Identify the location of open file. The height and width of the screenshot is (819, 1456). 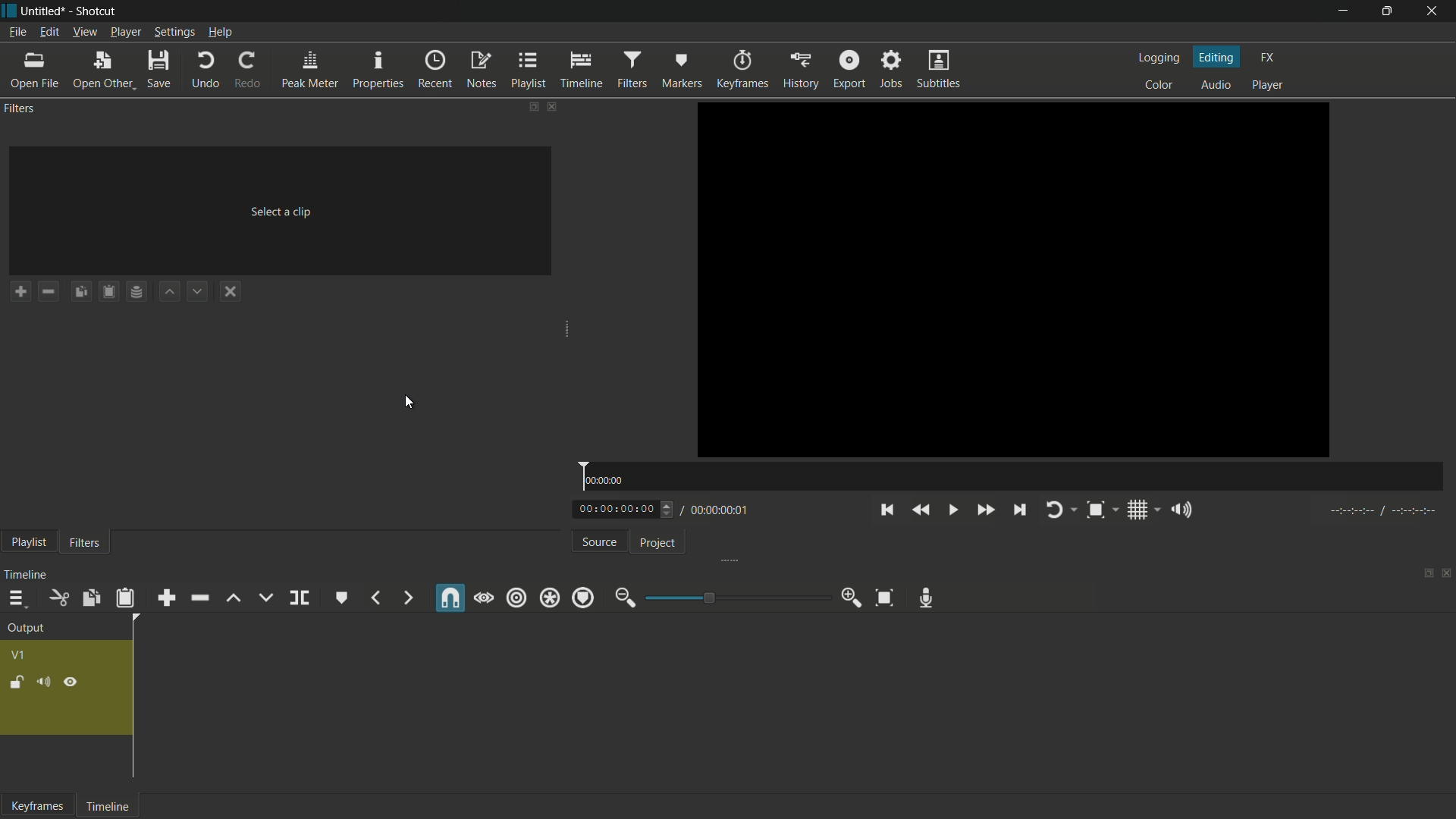
(34, 70).